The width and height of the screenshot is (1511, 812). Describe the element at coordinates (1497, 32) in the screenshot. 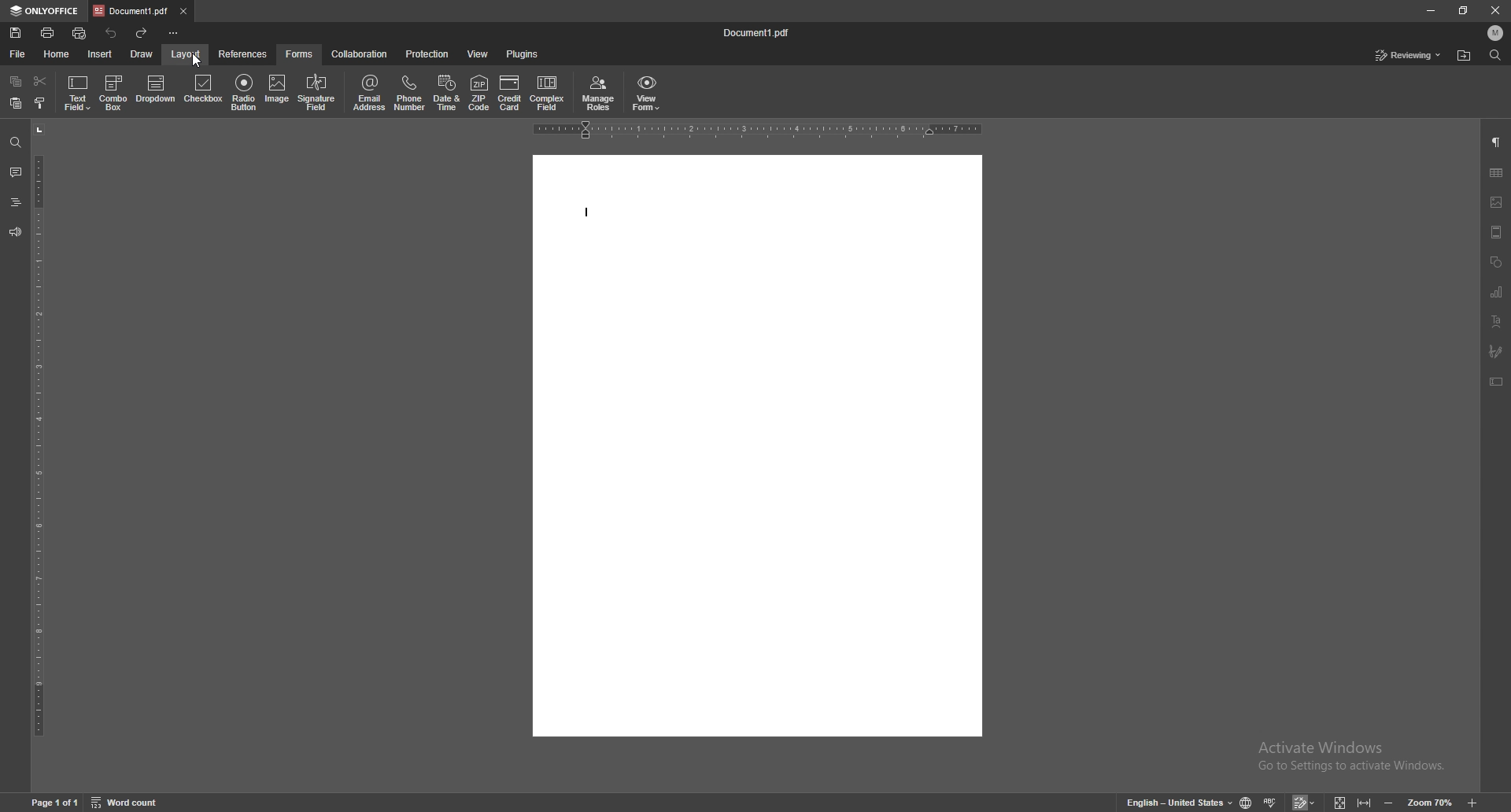

I see `profile` at that location.